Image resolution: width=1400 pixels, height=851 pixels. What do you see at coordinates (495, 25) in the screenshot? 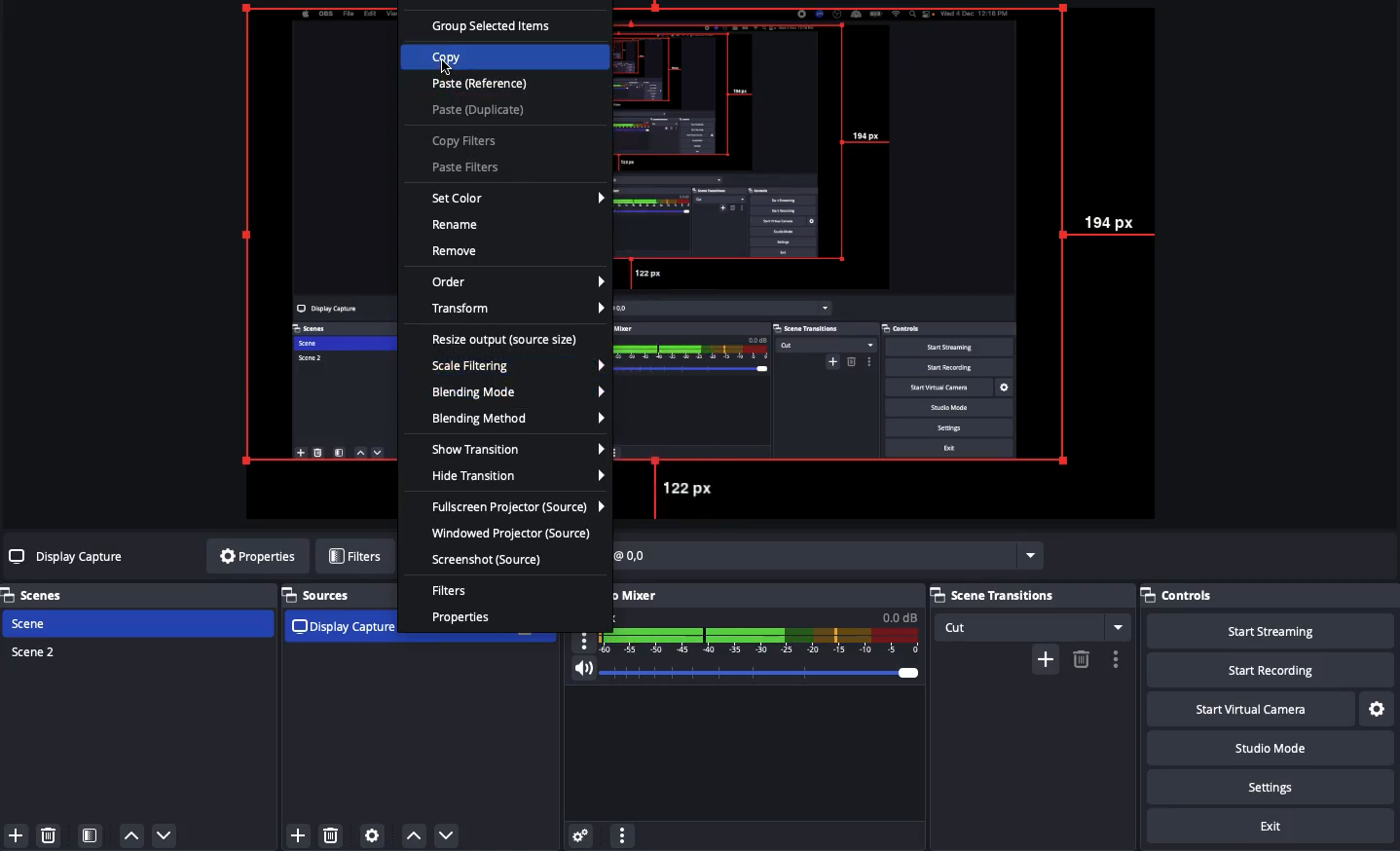
I see `Group selected items` at bounding box center [495, 25].